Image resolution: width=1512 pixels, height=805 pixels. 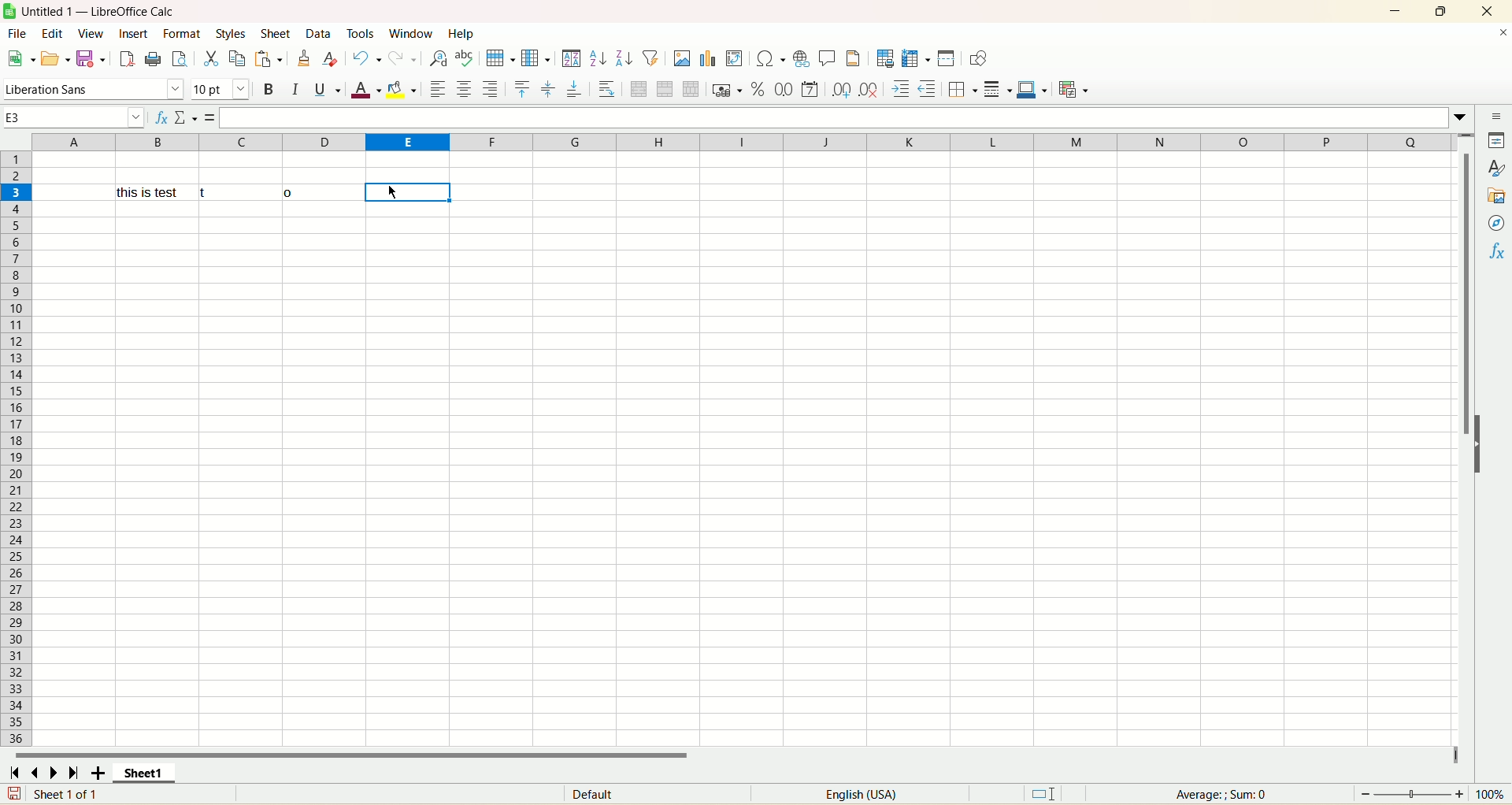 I want to click on redo, so click(x=403, y=57).